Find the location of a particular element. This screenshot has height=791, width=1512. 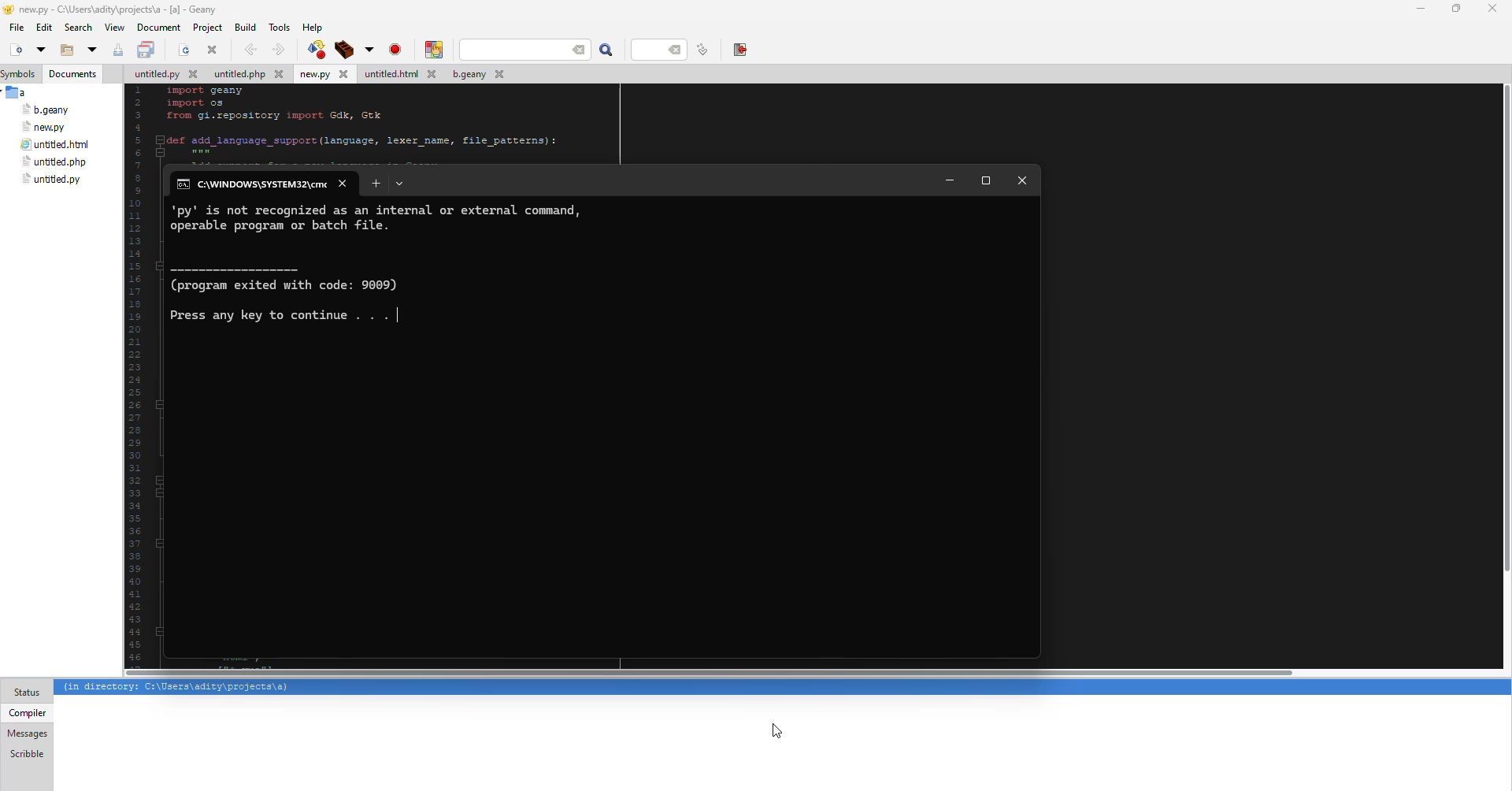

open is located at coordinates (39, 50).